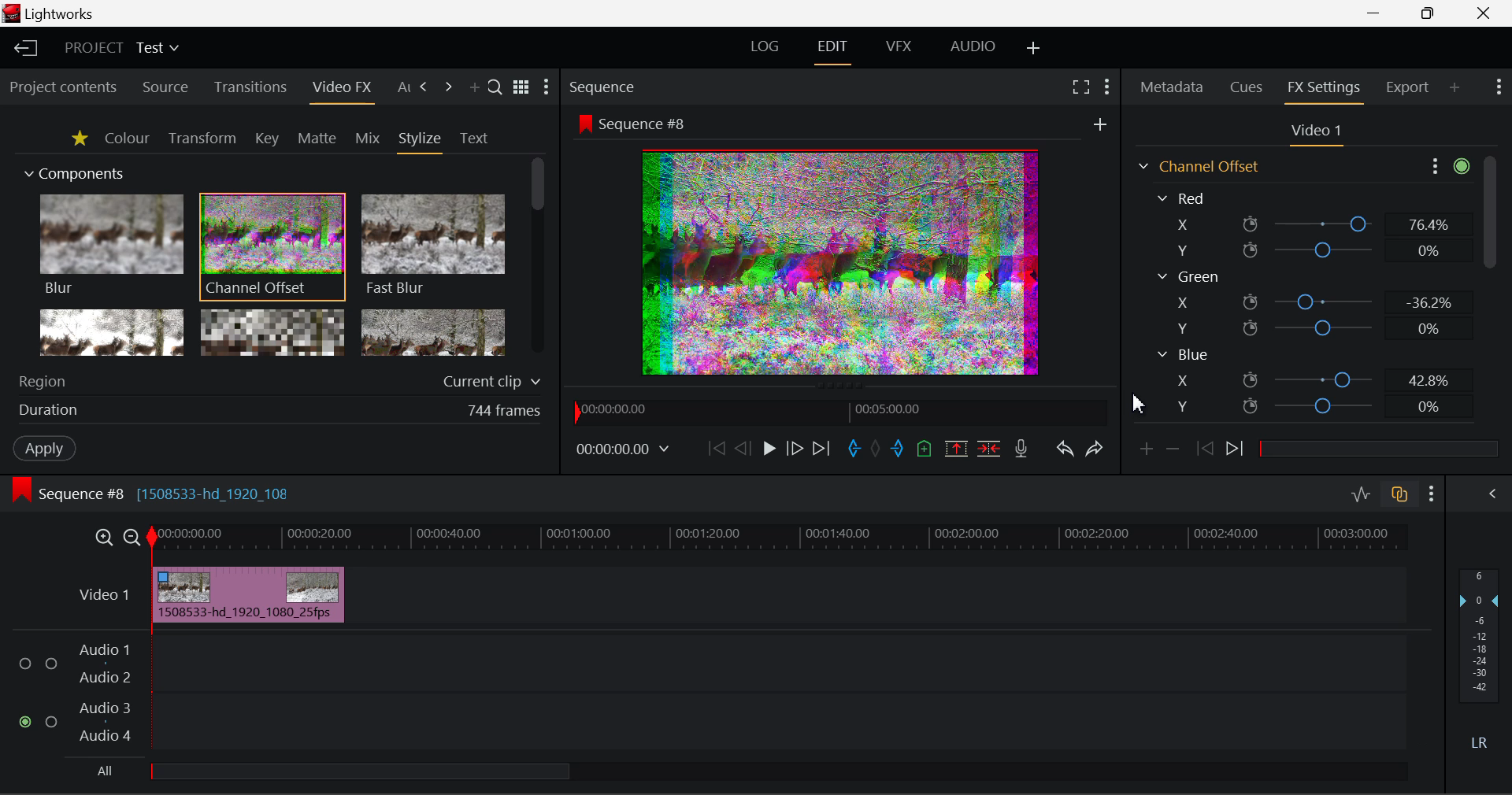  What do you see at coordinates (1325, 89) in the screenshot?
I see `FX Settings` at bounding box center [1325, 89].